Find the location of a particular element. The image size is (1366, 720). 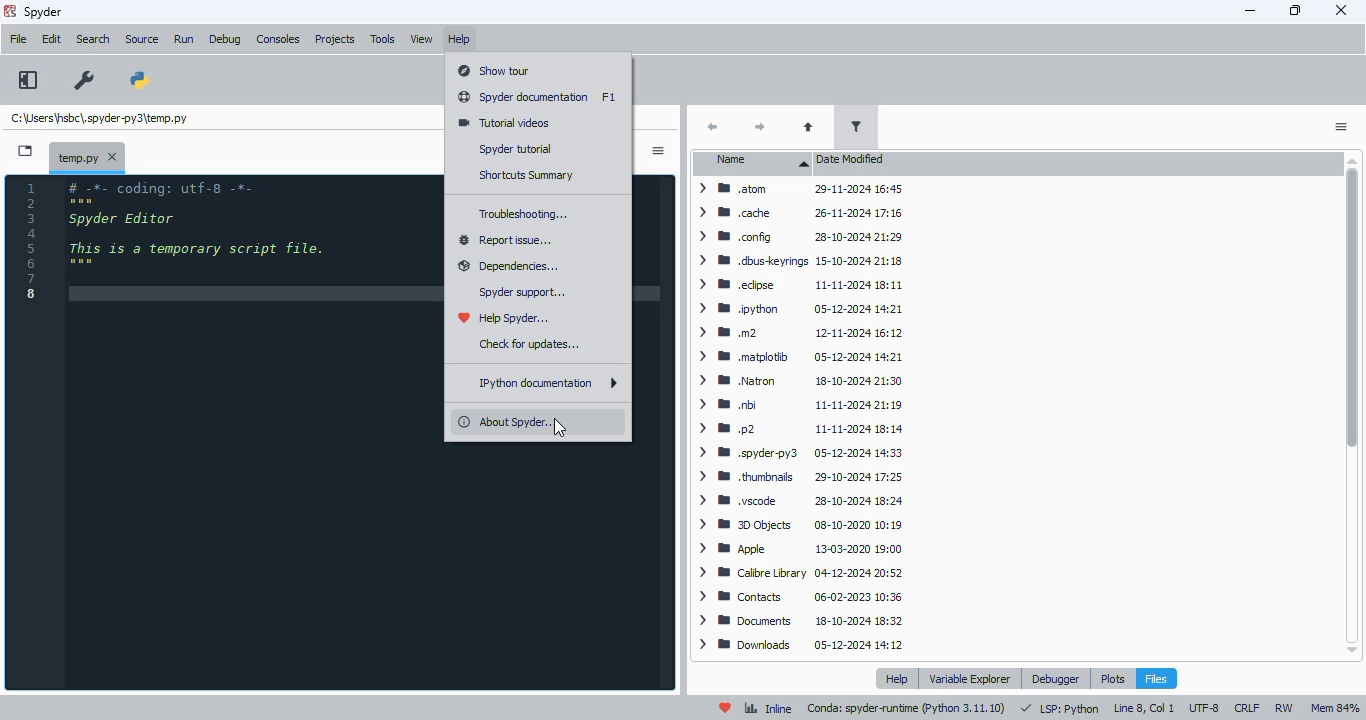

help spyder is located at coordinates (503, 318).